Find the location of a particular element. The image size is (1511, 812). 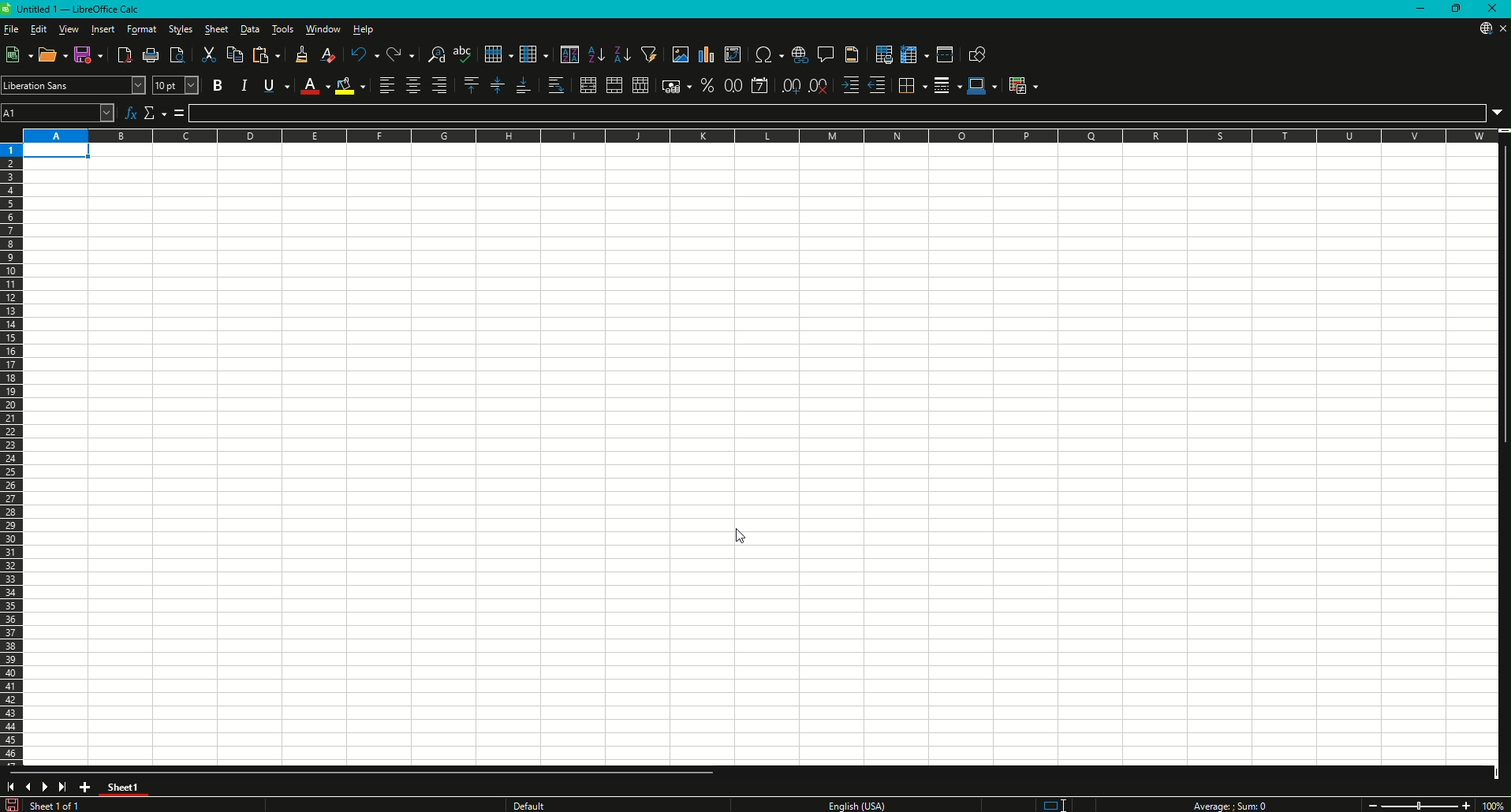

Conditional is located at coordinates (1023, 86).